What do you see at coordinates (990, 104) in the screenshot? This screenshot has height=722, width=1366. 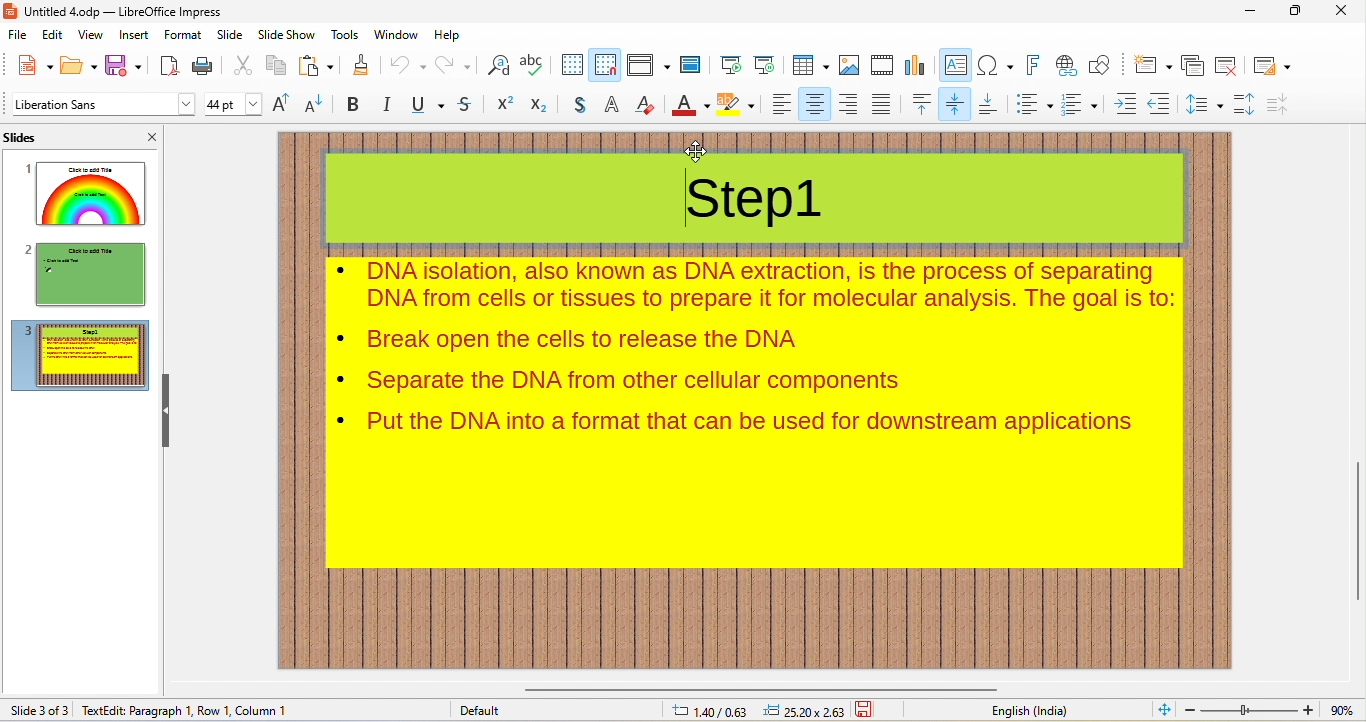 I see `align bottom` at bounding box center [990, 104].